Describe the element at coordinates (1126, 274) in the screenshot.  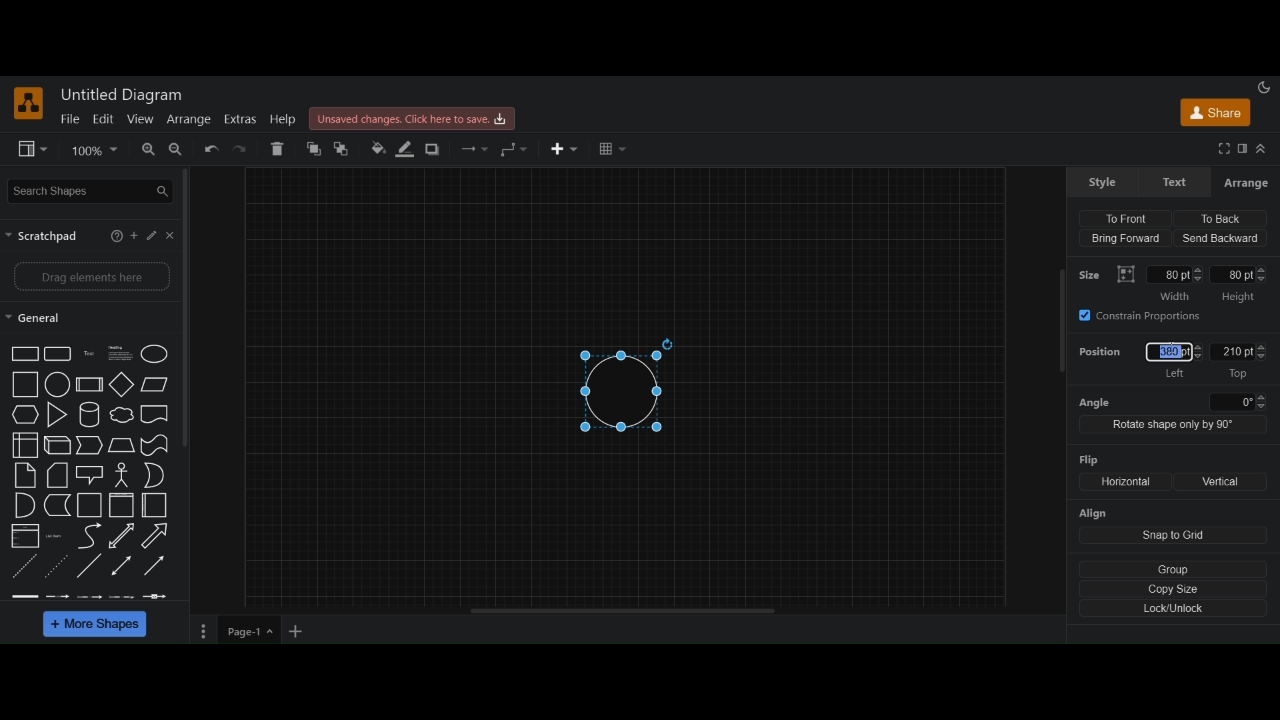
I see `autosize` at that location.